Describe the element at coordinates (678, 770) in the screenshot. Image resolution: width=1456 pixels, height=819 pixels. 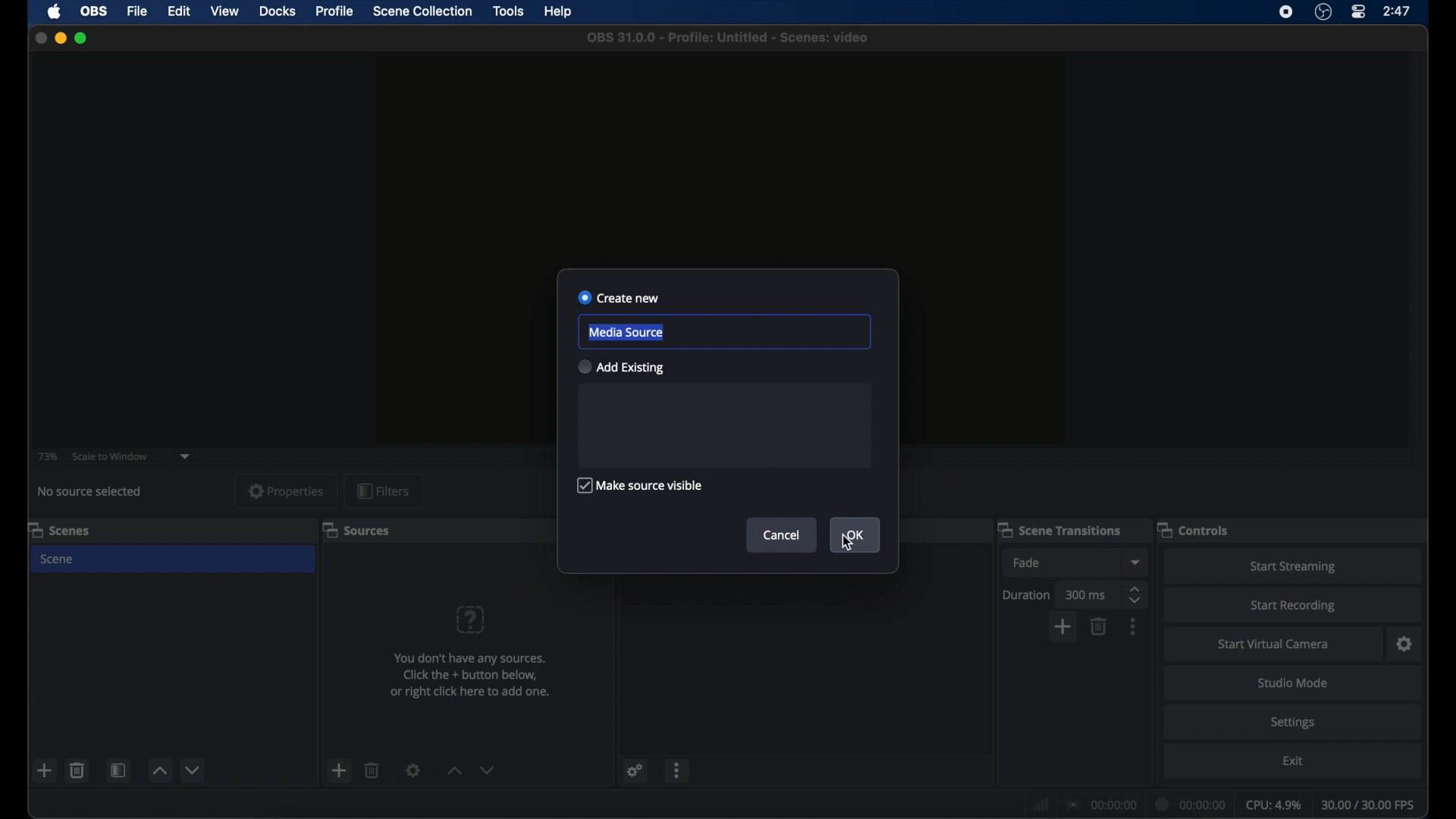
I see `more options` at that location.